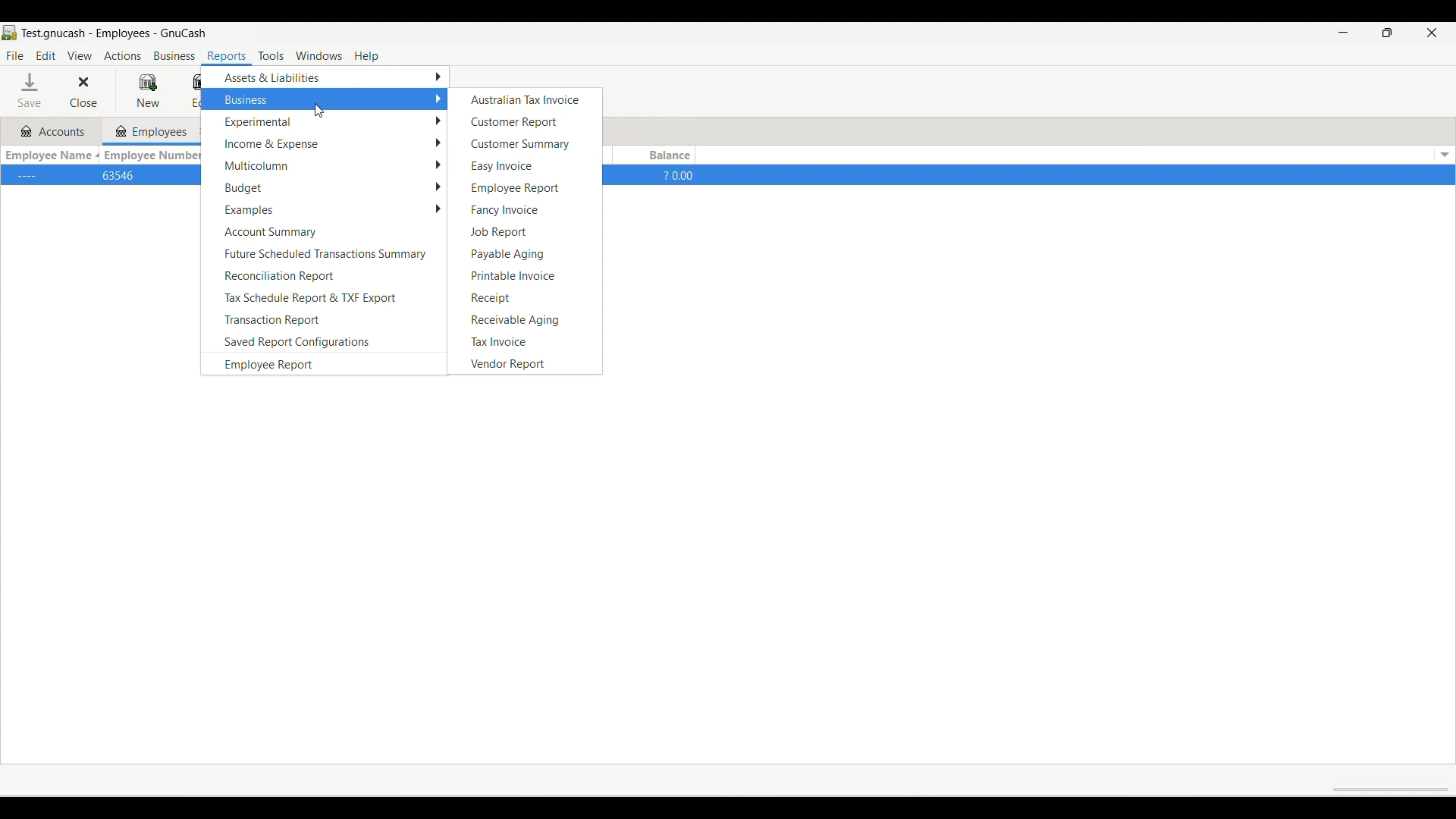 The image size is (1456, 819). What do you see at coordinates (523, 231) in the screenshot?
I see `Job report` at bounding box center [523, 231].